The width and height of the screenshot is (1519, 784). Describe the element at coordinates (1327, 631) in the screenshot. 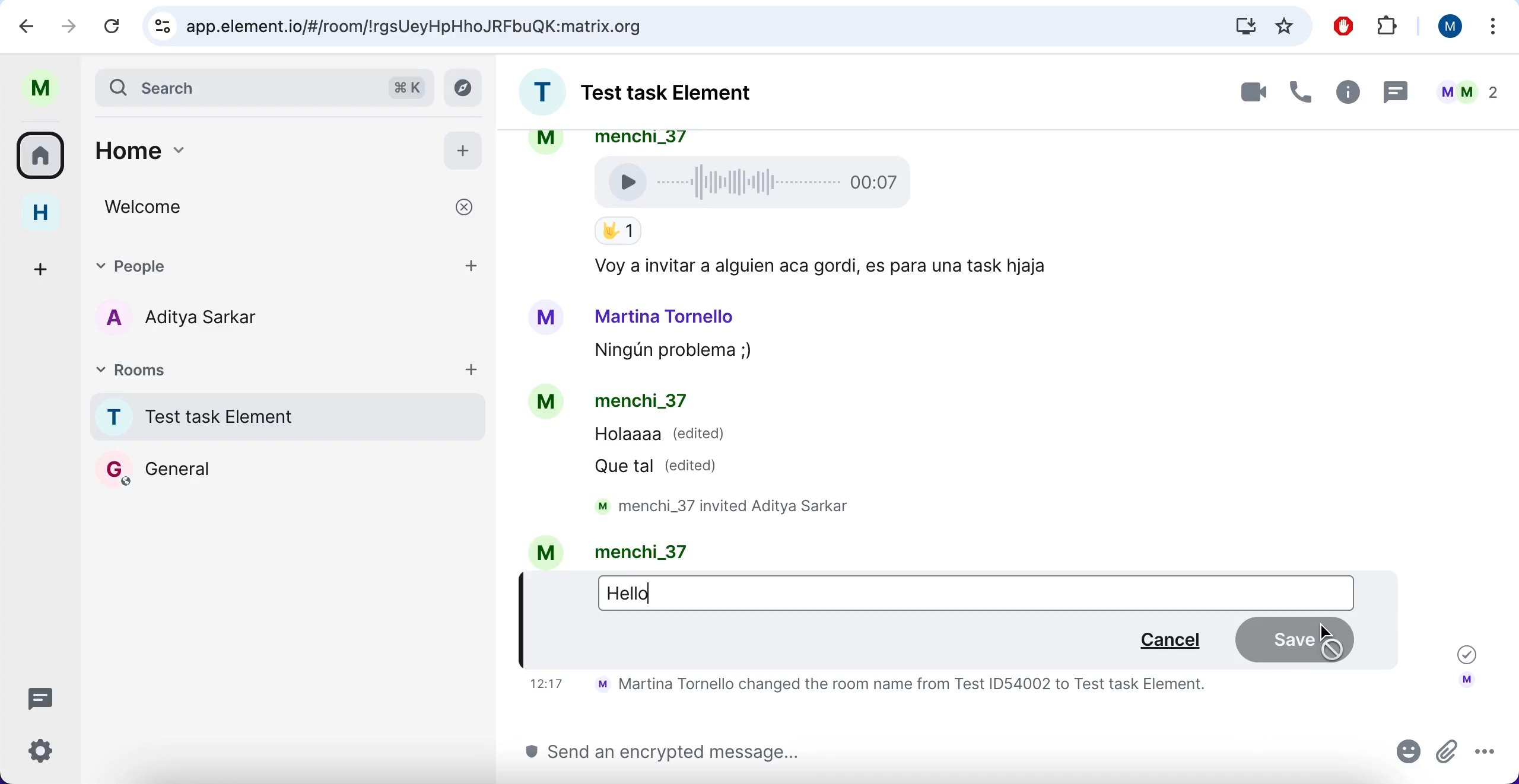

I see `cursor` at that location.